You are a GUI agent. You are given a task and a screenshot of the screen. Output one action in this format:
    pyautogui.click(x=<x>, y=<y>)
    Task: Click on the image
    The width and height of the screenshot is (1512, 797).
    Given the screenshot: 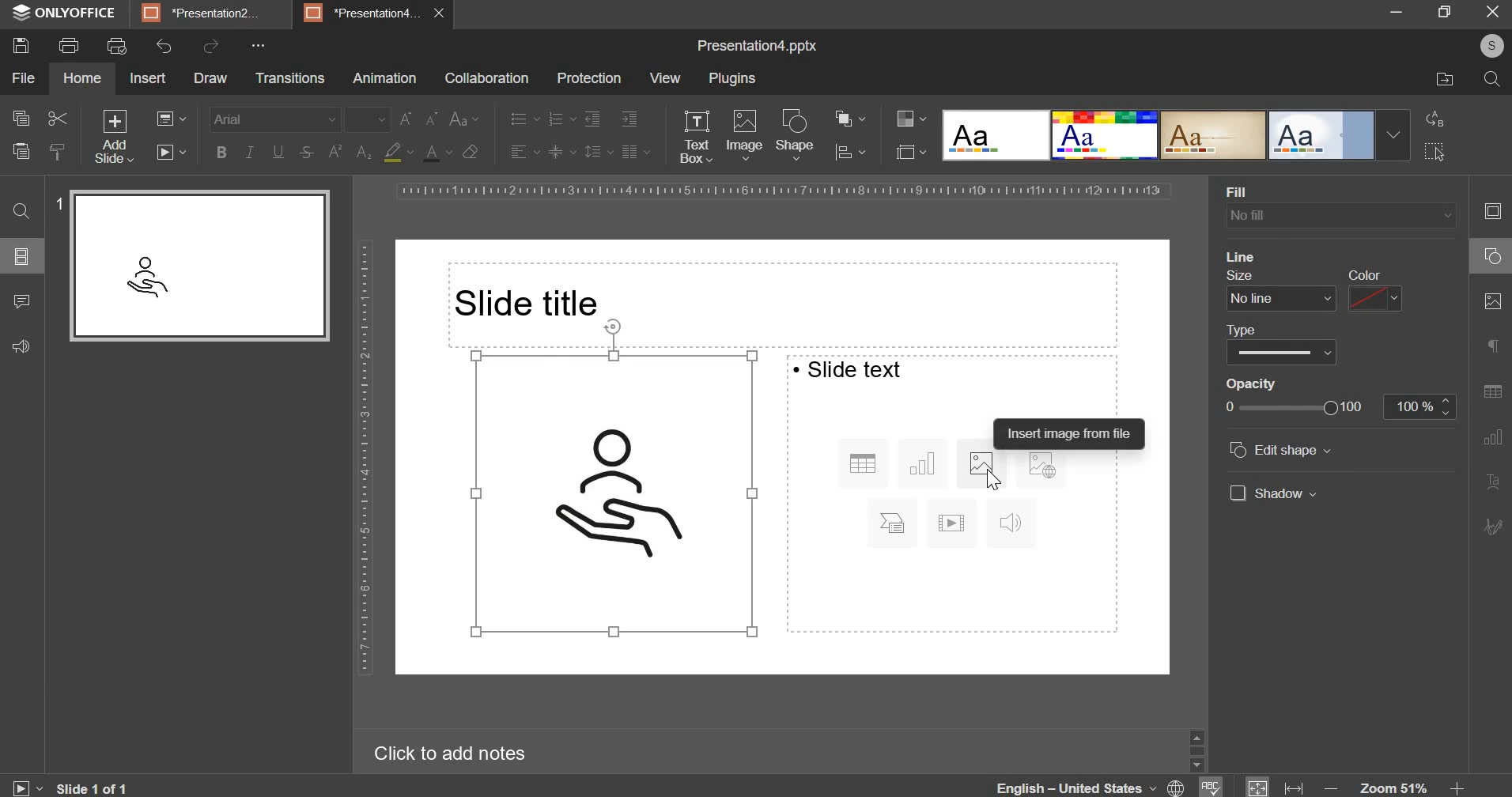 What is the action you would take?
    pyautogui.click(x=745, y=136)
    